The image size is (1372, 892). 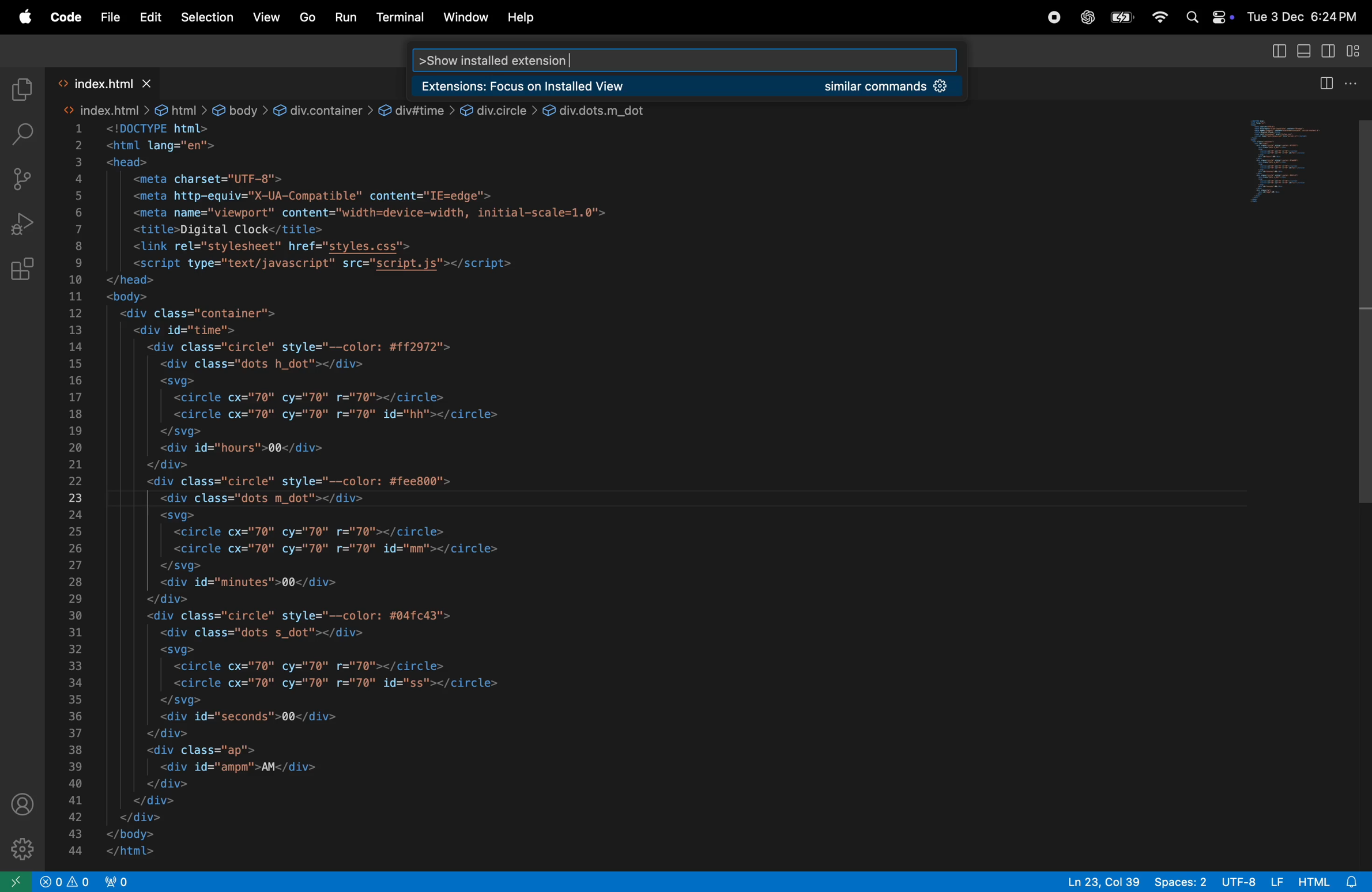 What do you see at coordinates (497, 56) in the screenshot?
I see `show installed extensions` at bounding box center [497, 56].